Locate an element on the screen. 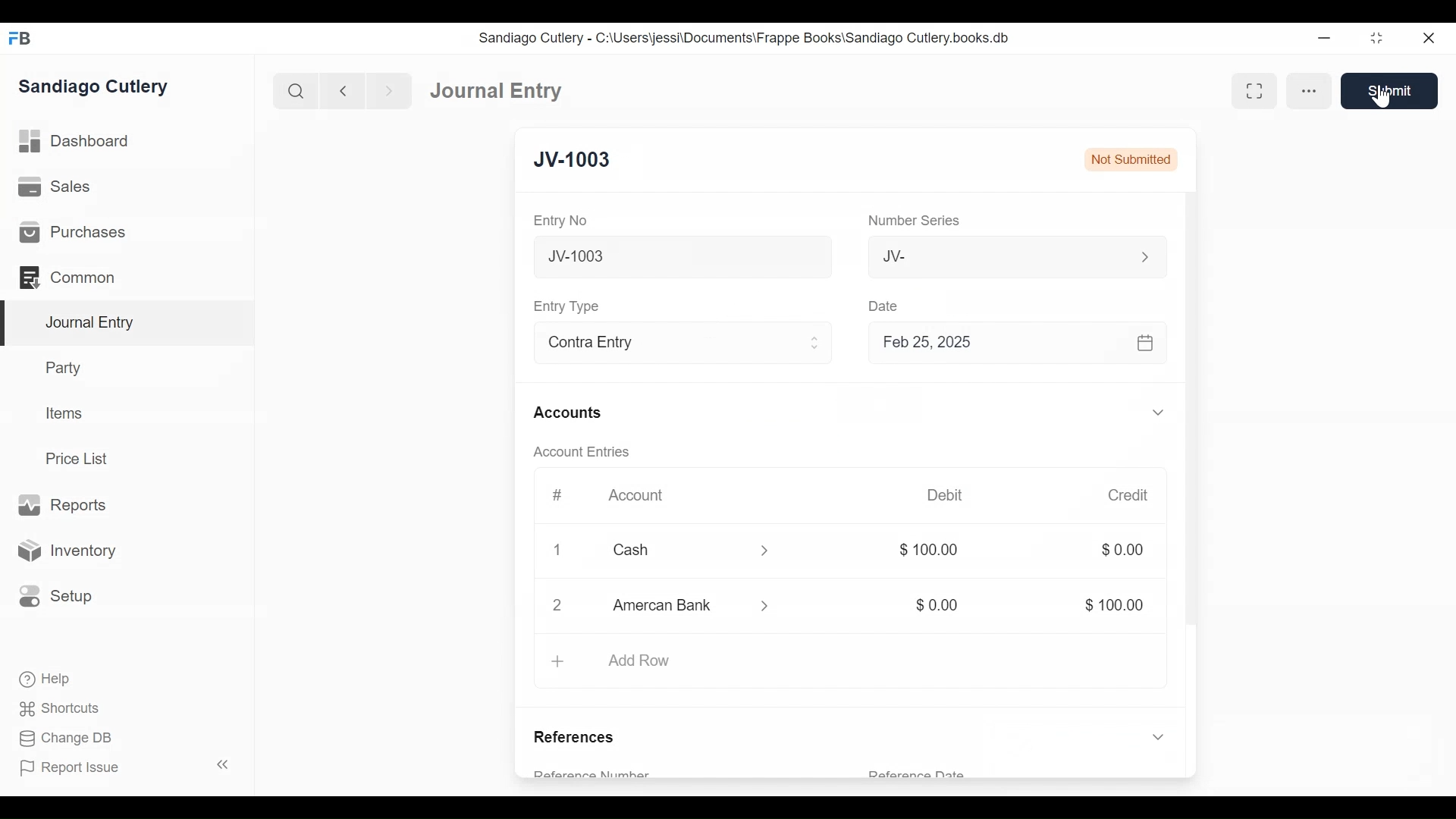  Journal Entry is located at coordinates (128, 323).